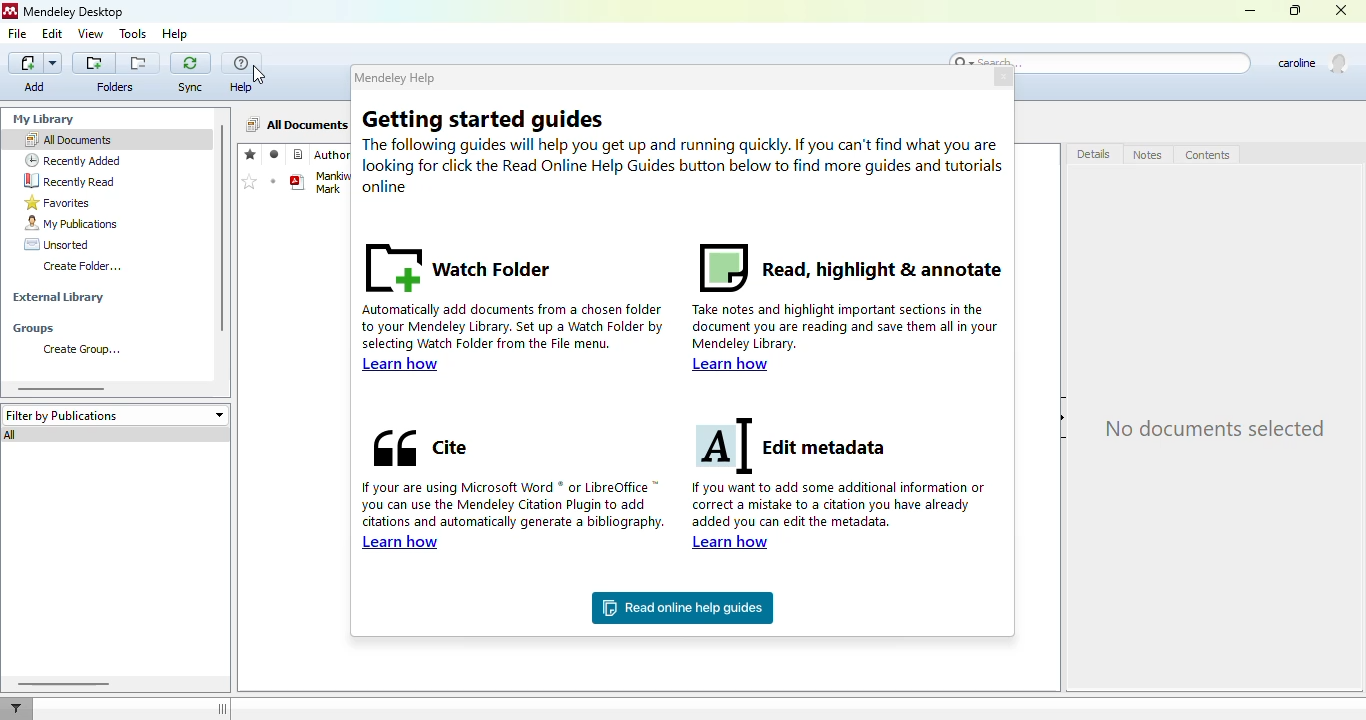 The width and height of the screenshot is (1366, 720). I want to click on edit metadata, so click(789, 446).